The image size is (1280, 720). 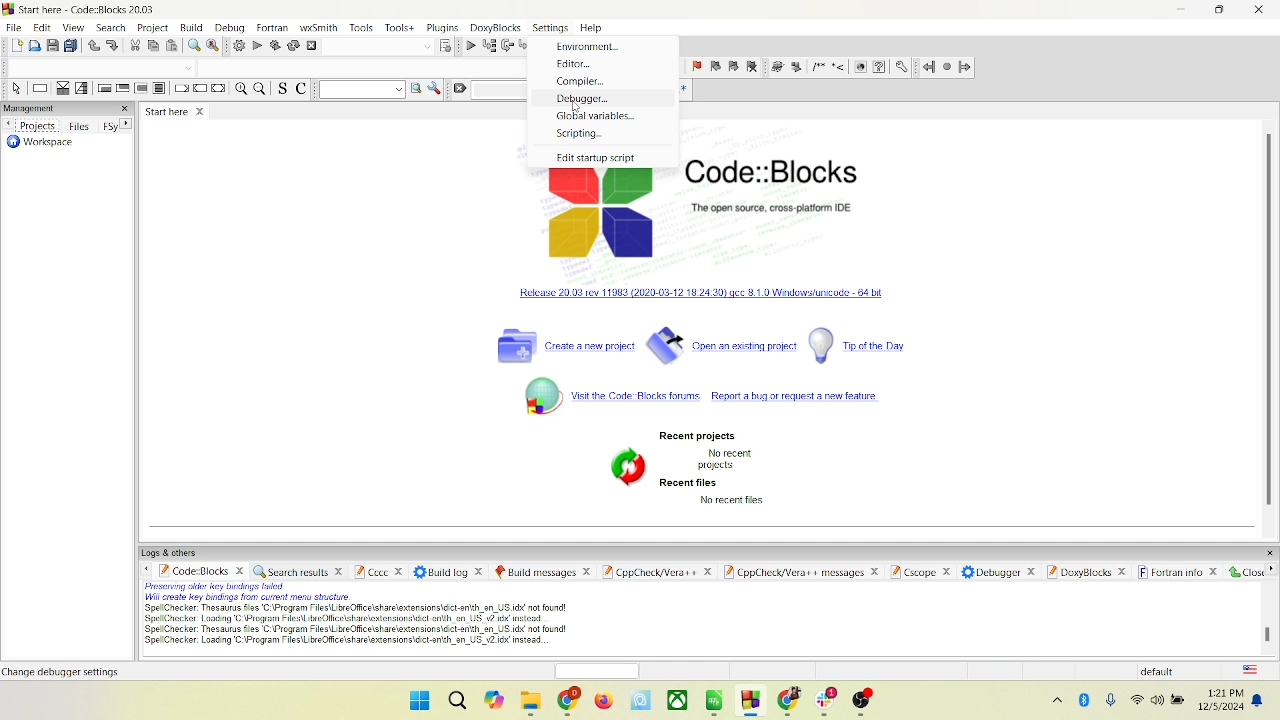 I want to click on paste, so click(x=171, y=45).